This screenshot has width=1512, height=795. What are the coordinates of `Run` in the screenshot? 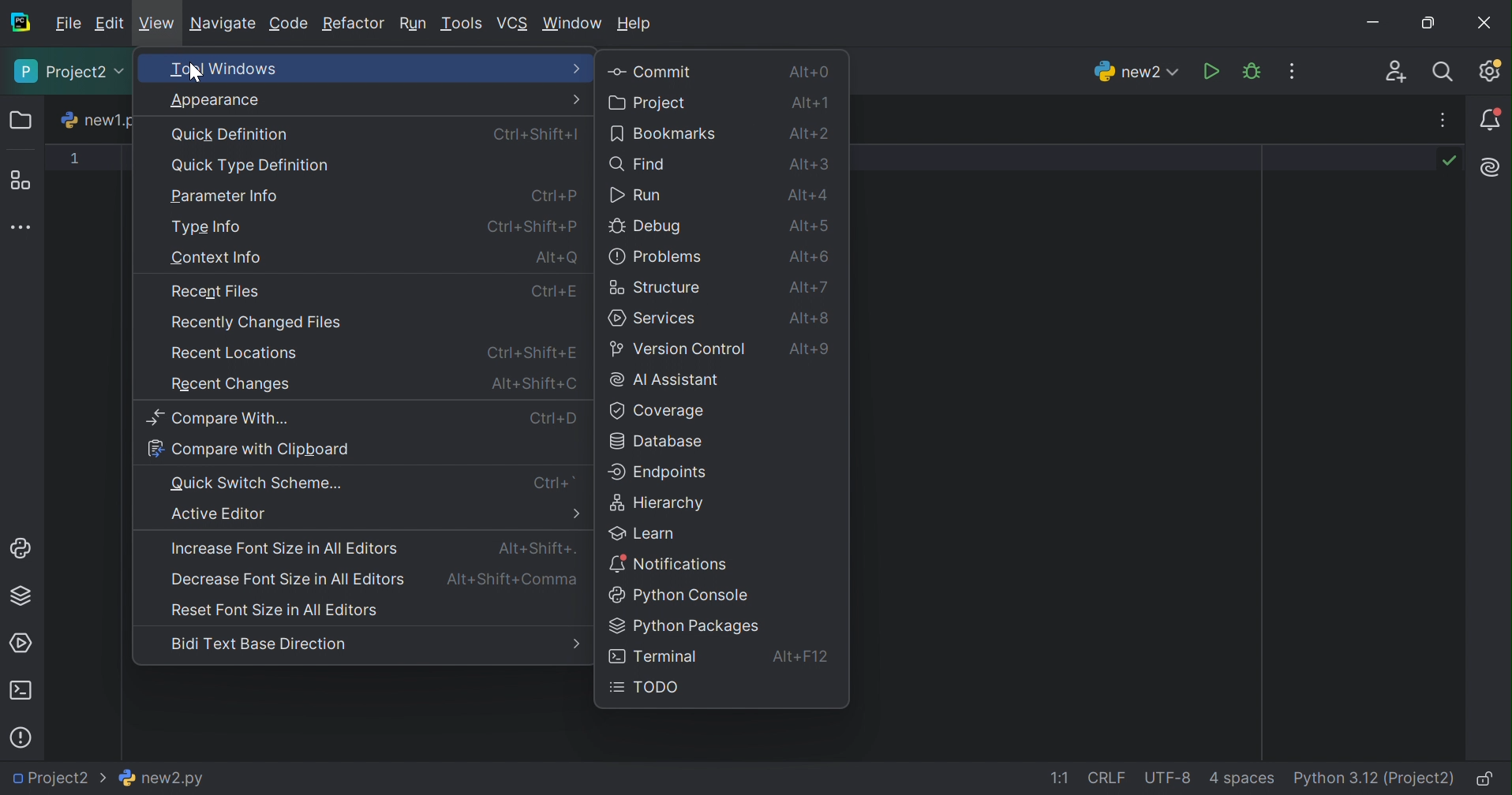 It's located at (1214, 72).